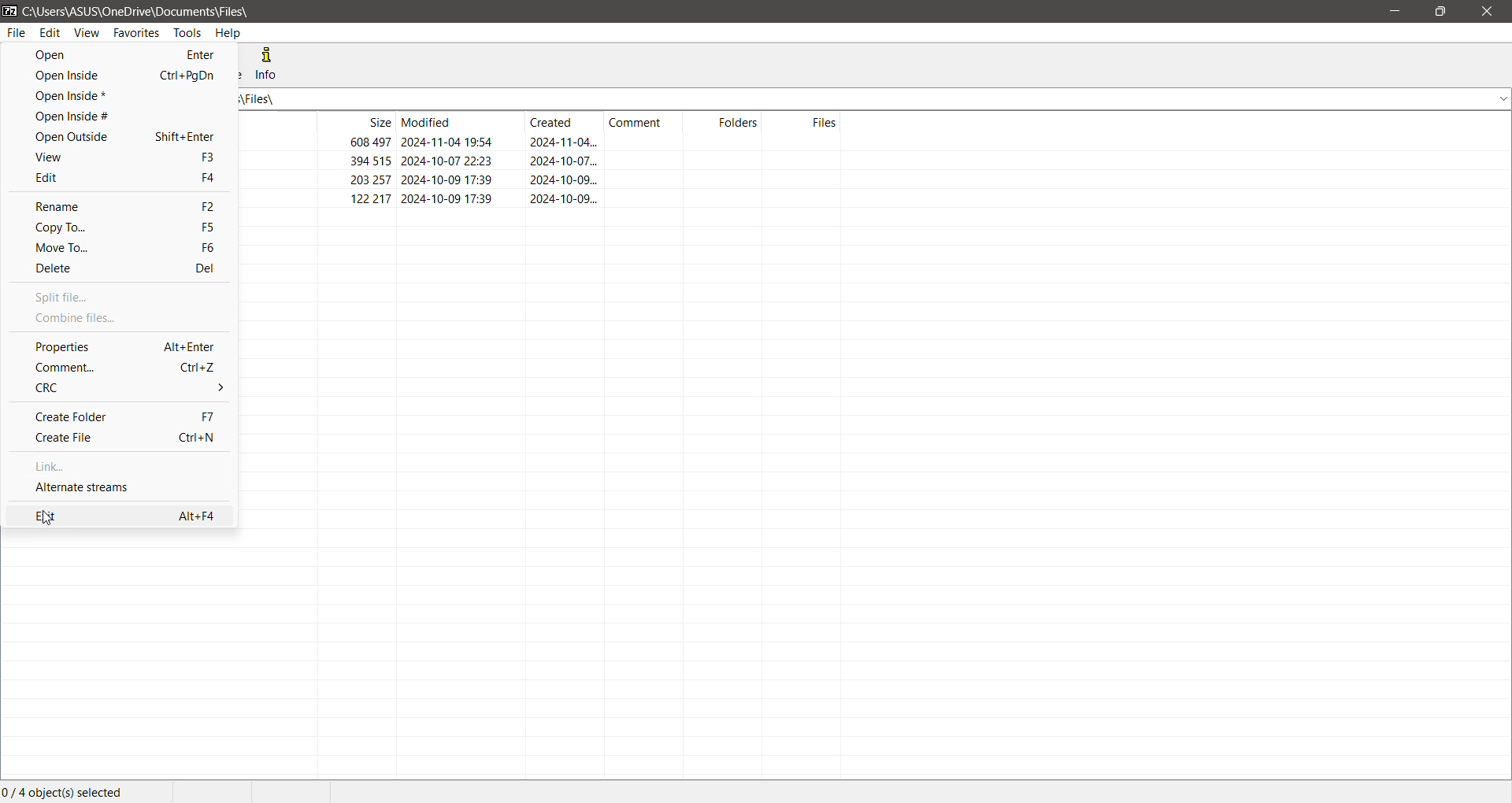 The height and width of the screenshot is (803, 1512). Describe the element at coordinates (736, 124) in the screenshot. I see `Folders` at that location.